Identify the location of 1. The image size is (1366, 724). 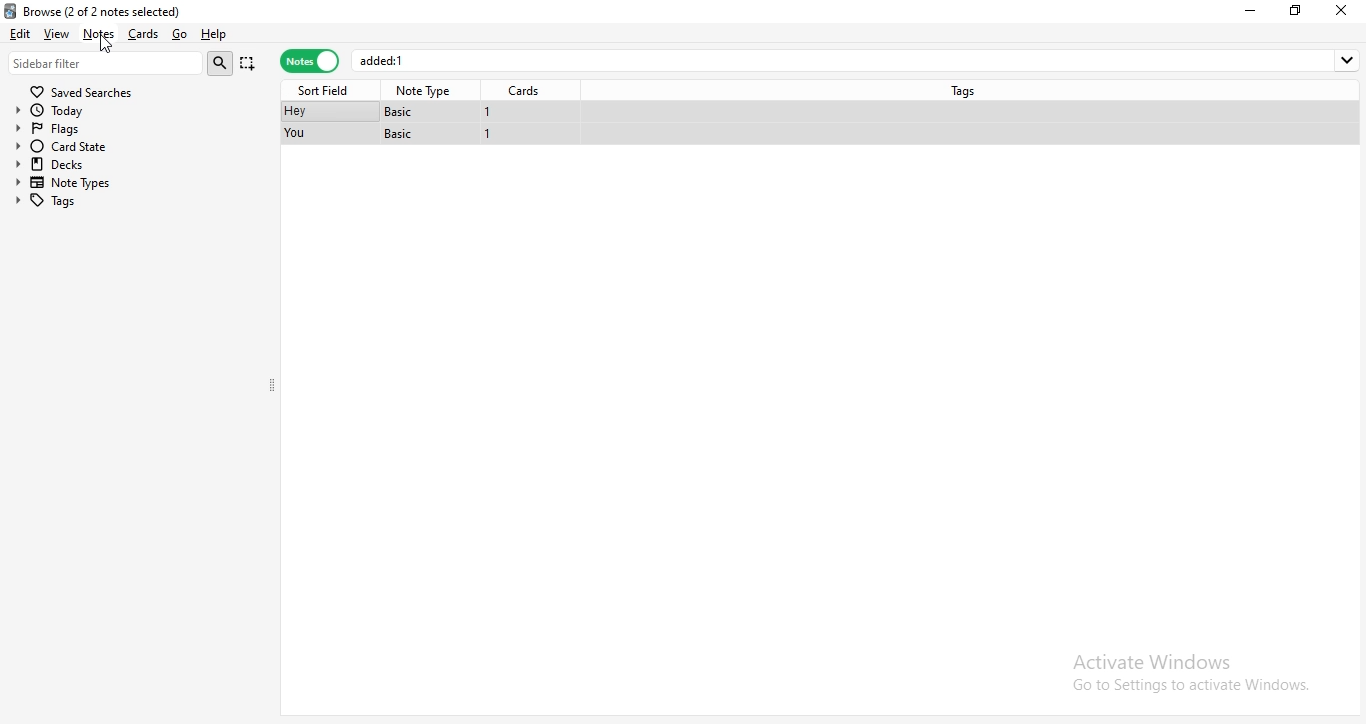
(490, 136).